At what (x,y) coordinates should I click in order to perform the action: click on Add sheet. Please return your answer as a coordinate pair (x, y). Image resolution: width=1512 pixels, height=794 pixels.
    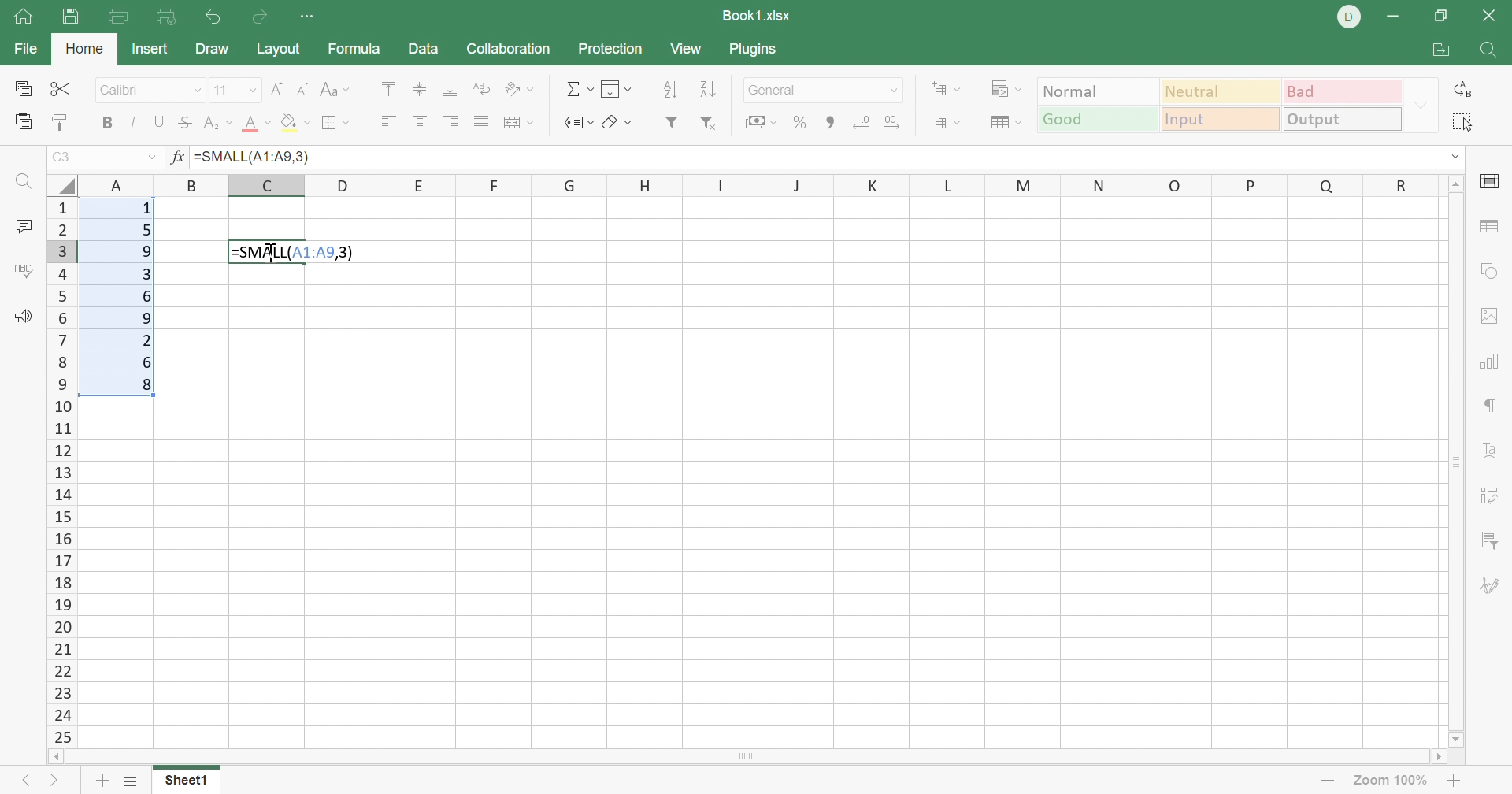
    Looking at the image, I should click on (102, 781).